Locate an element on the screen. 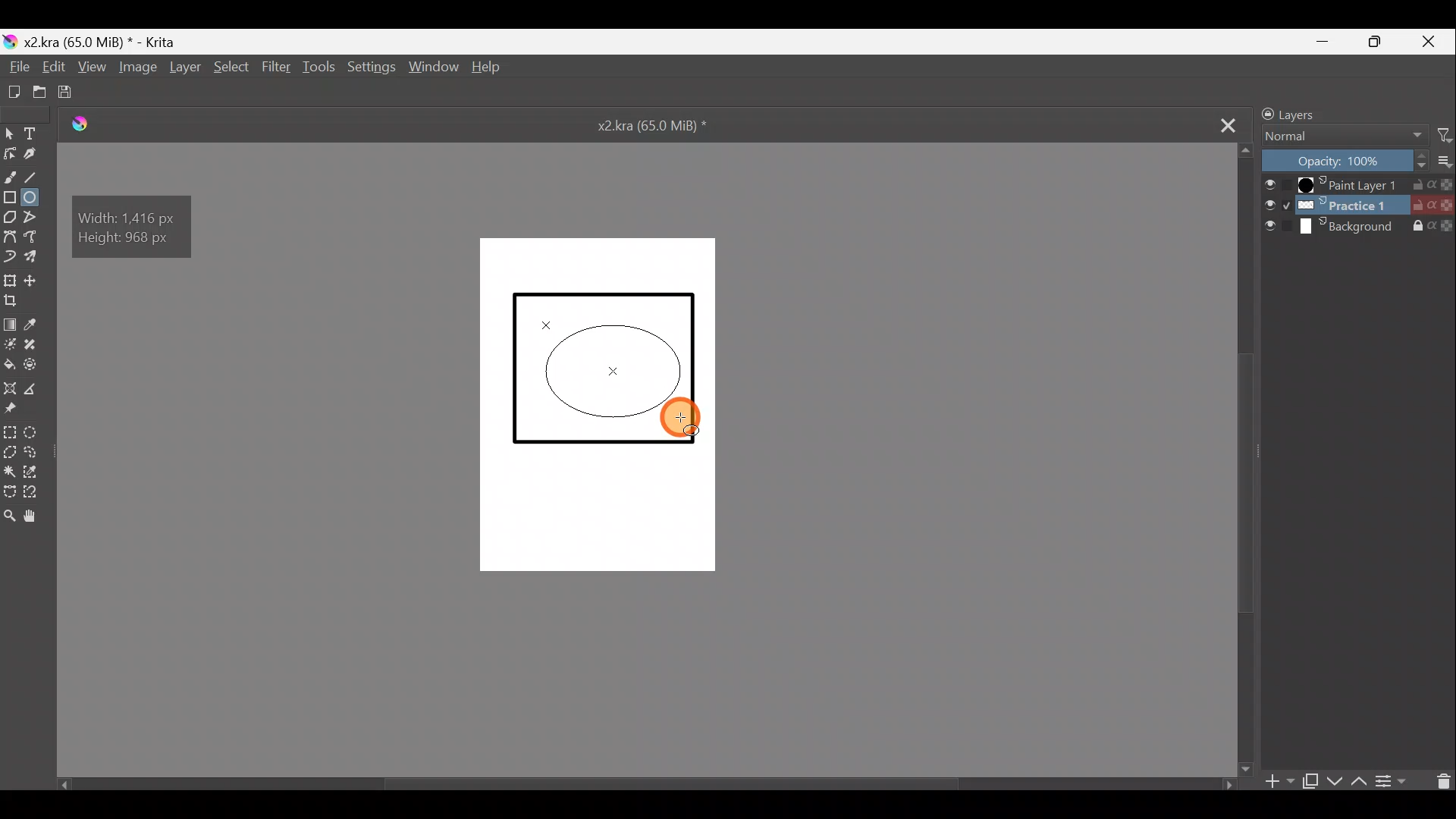 Image resolution: width=1456 pixels, height=819 pixels. Width: 1,416 px is located at coordinates (131, 216).